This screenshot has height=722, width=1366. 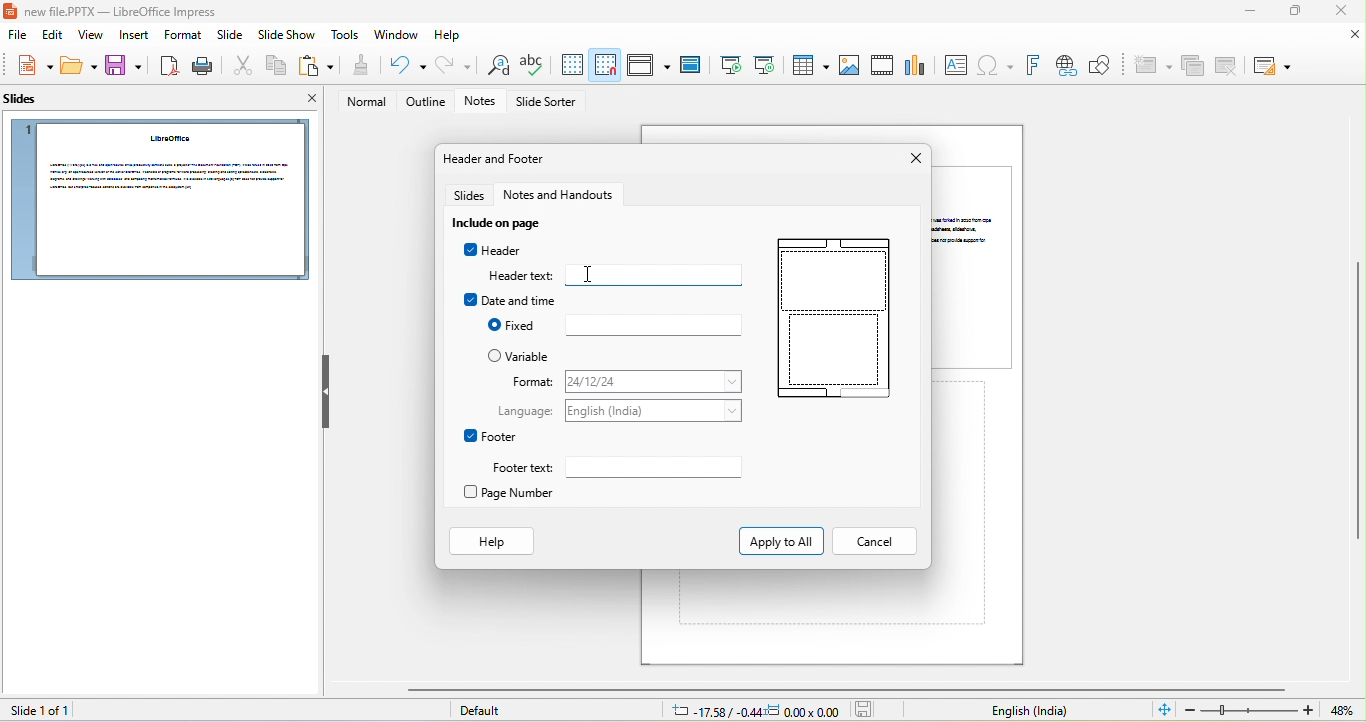 What do you see at coordinates (487, 712) in the screenshot?
I see `default` at bounding box center [487, 712].